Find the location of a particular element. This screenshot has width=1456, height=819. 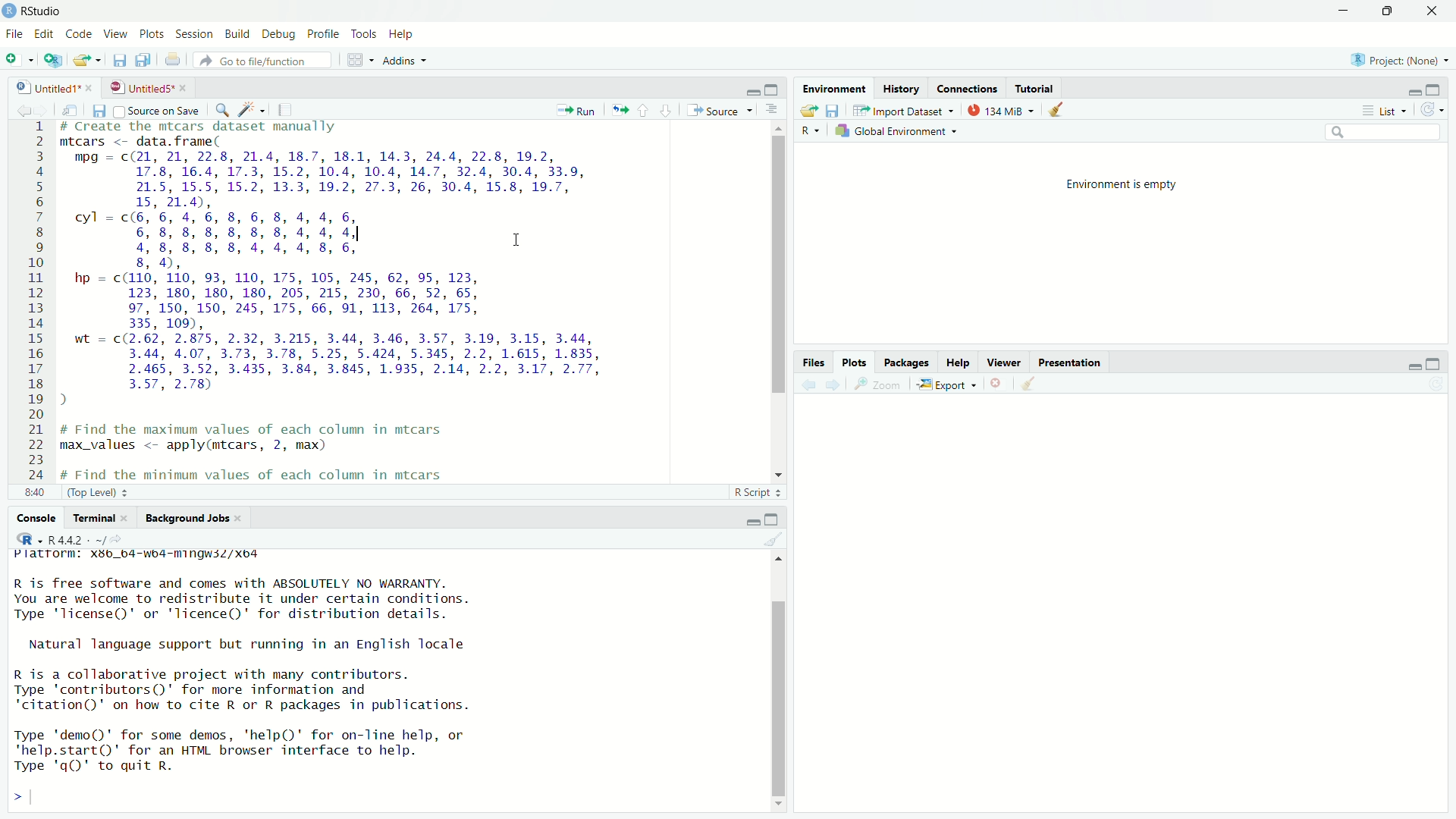

Environment is located at coordinates (835, 88).